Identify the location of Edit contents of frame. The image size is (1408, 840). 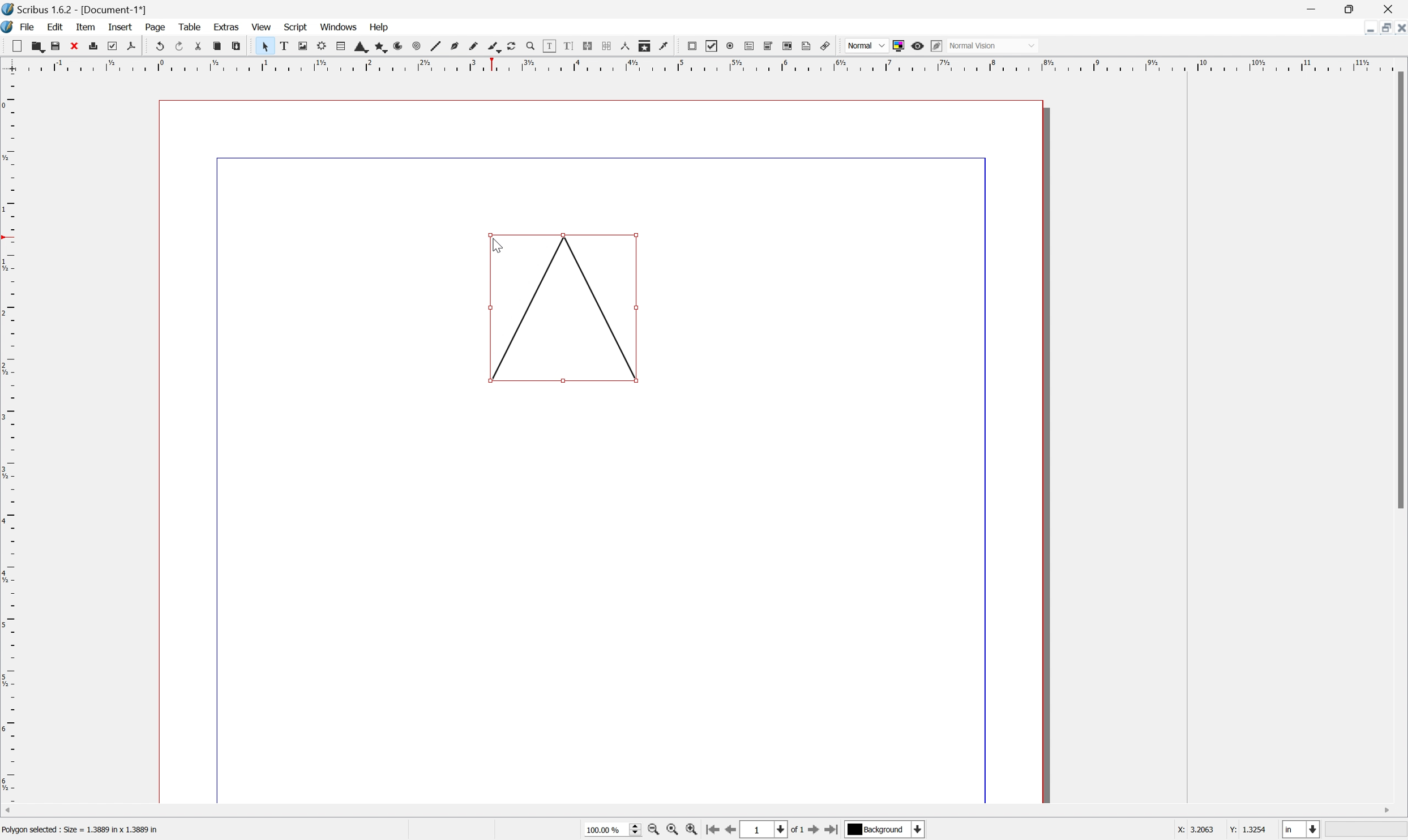
(549, 46).